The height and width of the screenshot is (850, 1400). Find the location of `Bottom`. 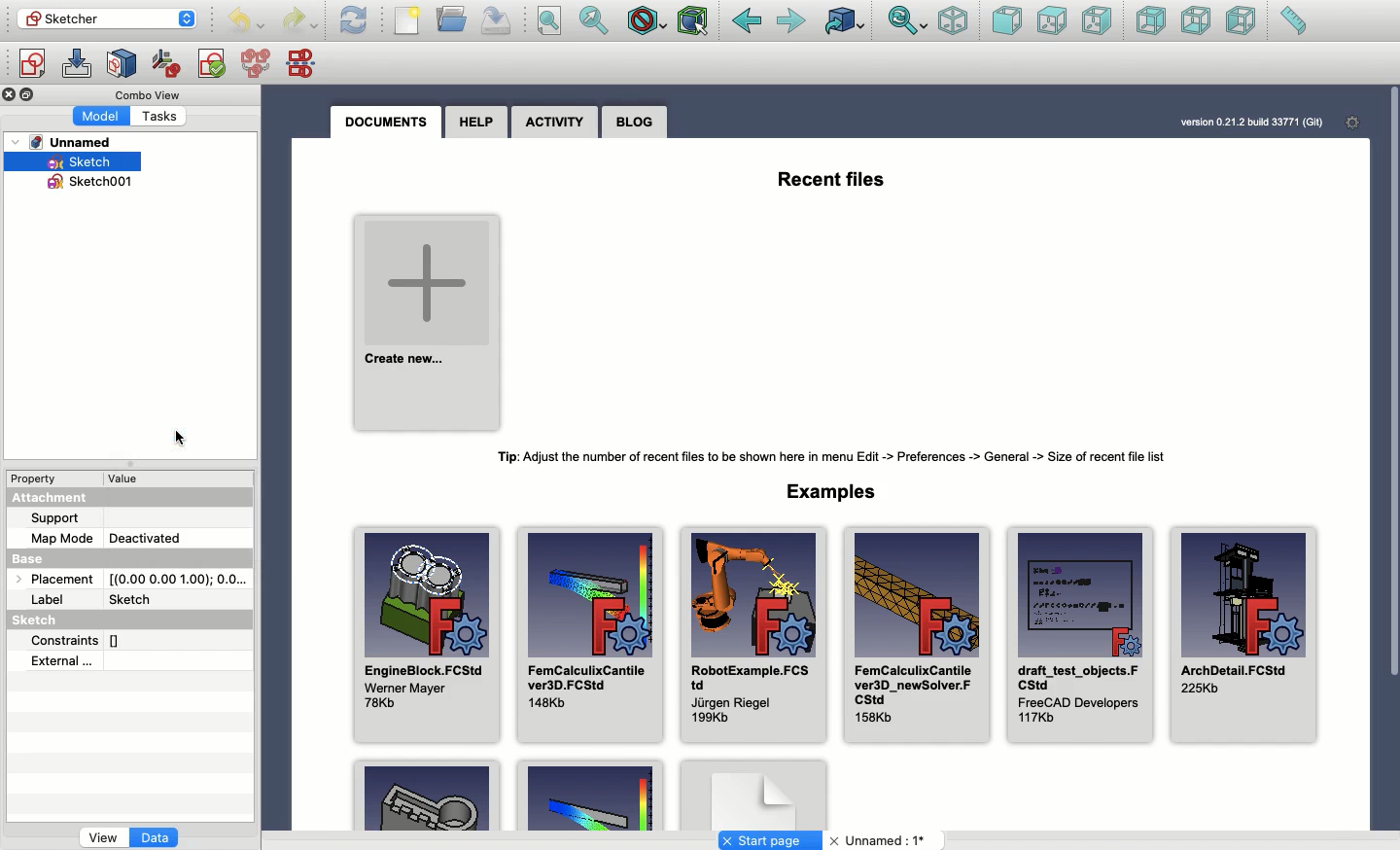

Bottom is located at coordinates (1194, 20).